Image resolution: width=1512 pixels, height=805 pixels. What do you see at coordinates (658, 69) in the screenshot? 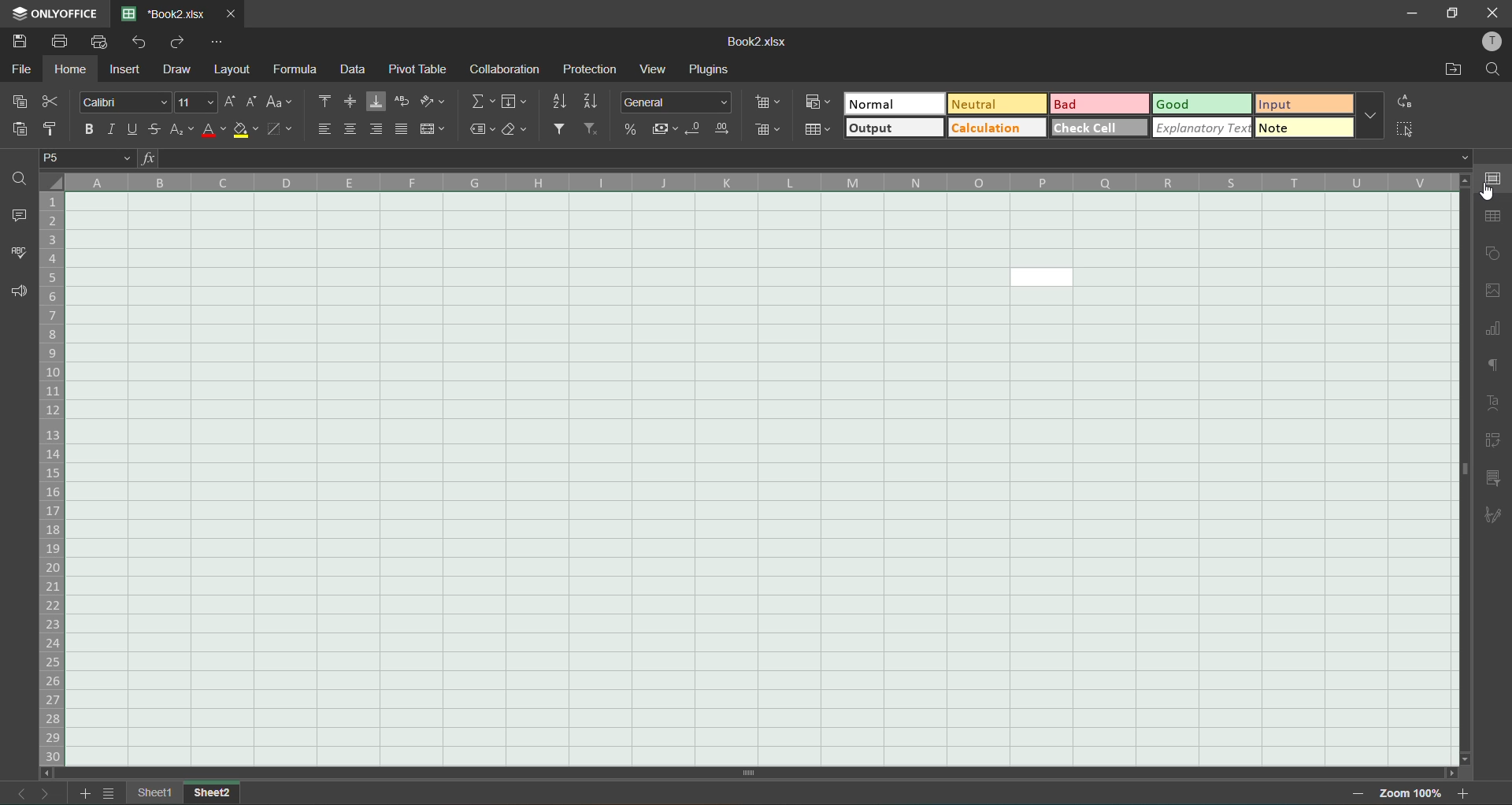
I see `view` at bounding box center [658, 69].